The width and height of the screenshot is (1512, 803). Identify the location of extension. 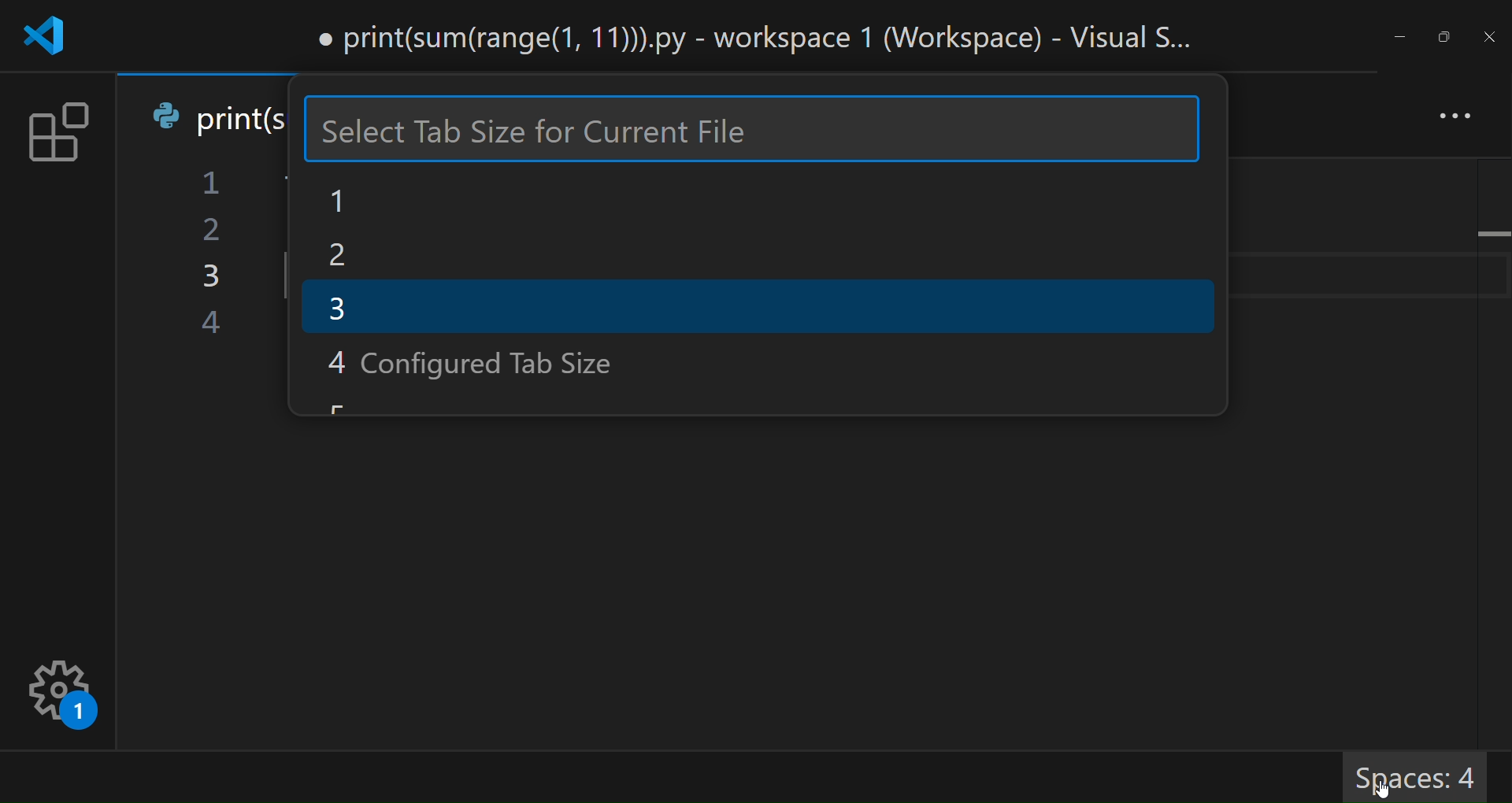
(57, 136).